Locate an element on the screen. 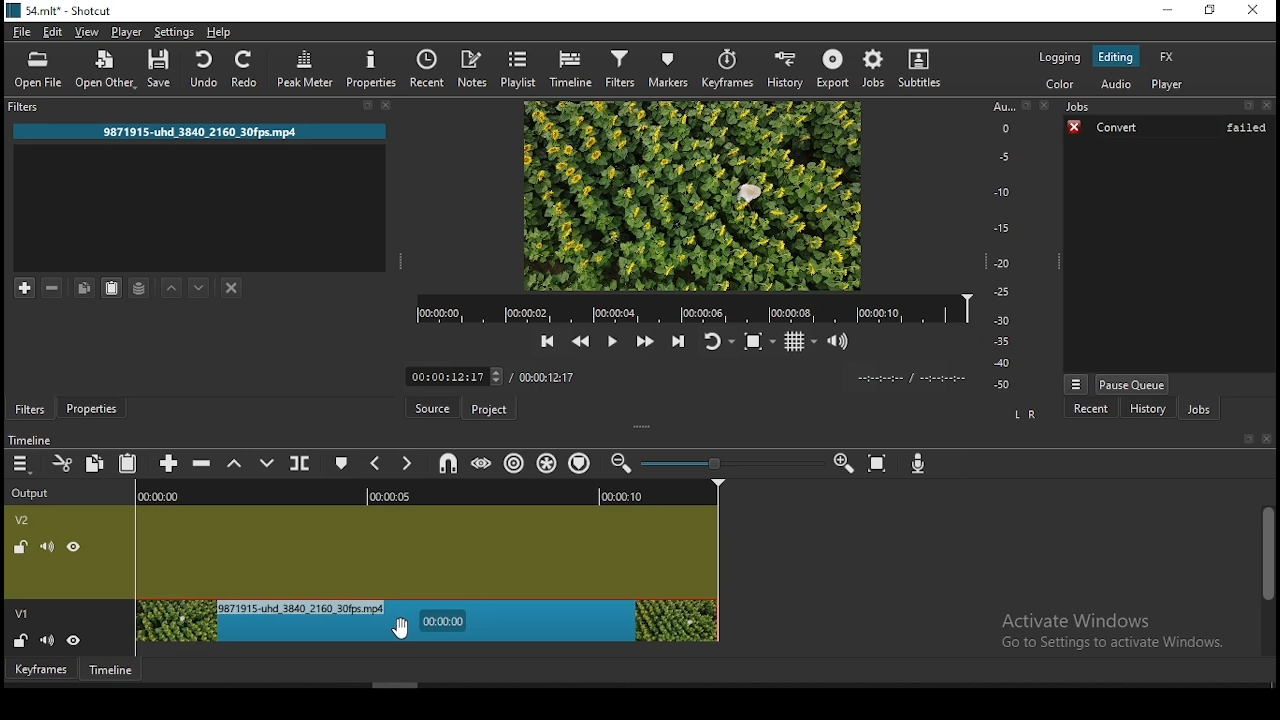 Image resolution: width=1280 pixels, height=720 pixels. timer is located at coordinates (911, 378).